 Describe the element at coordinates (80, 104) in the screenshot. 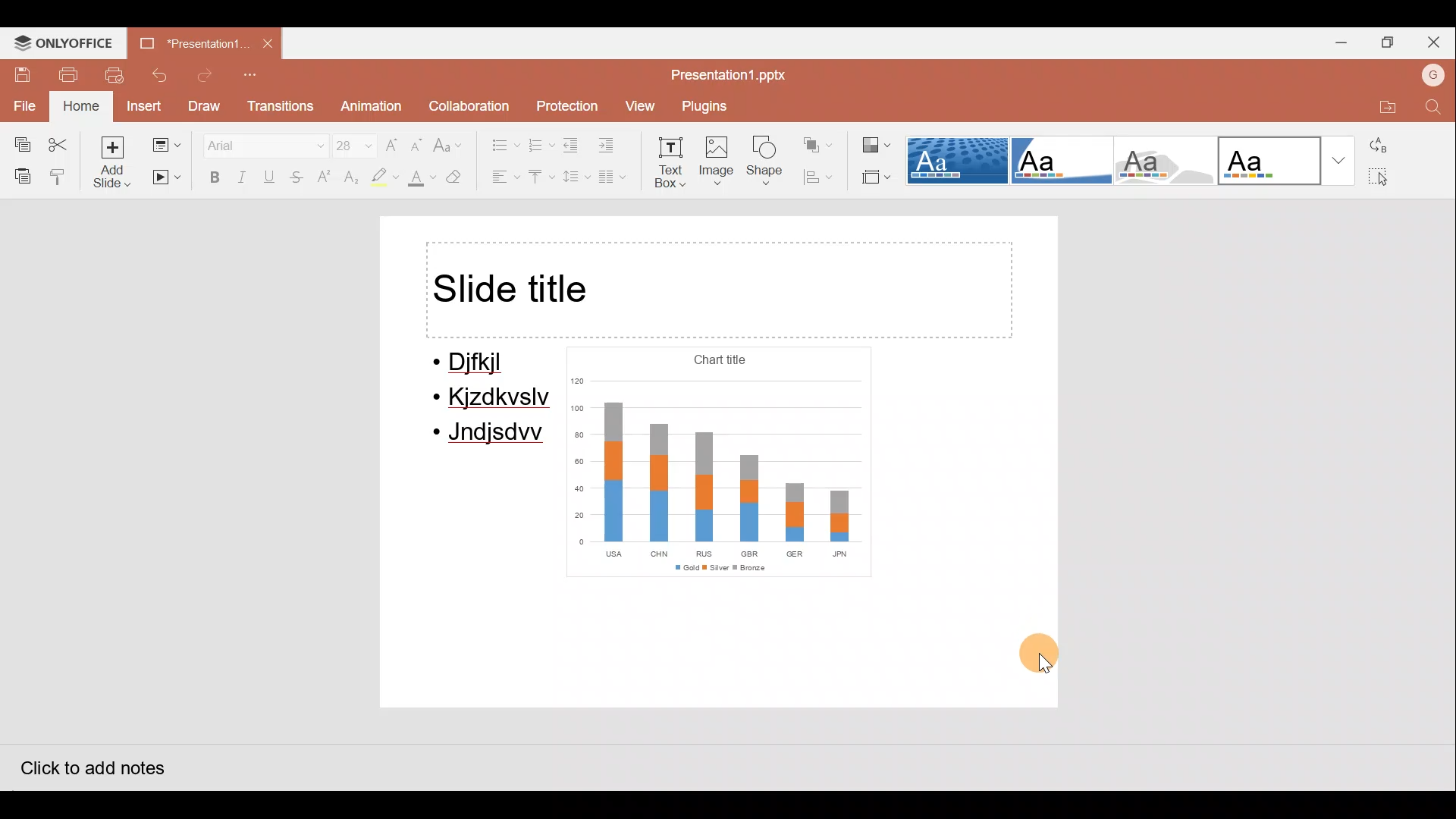

I see `Home` at that location.